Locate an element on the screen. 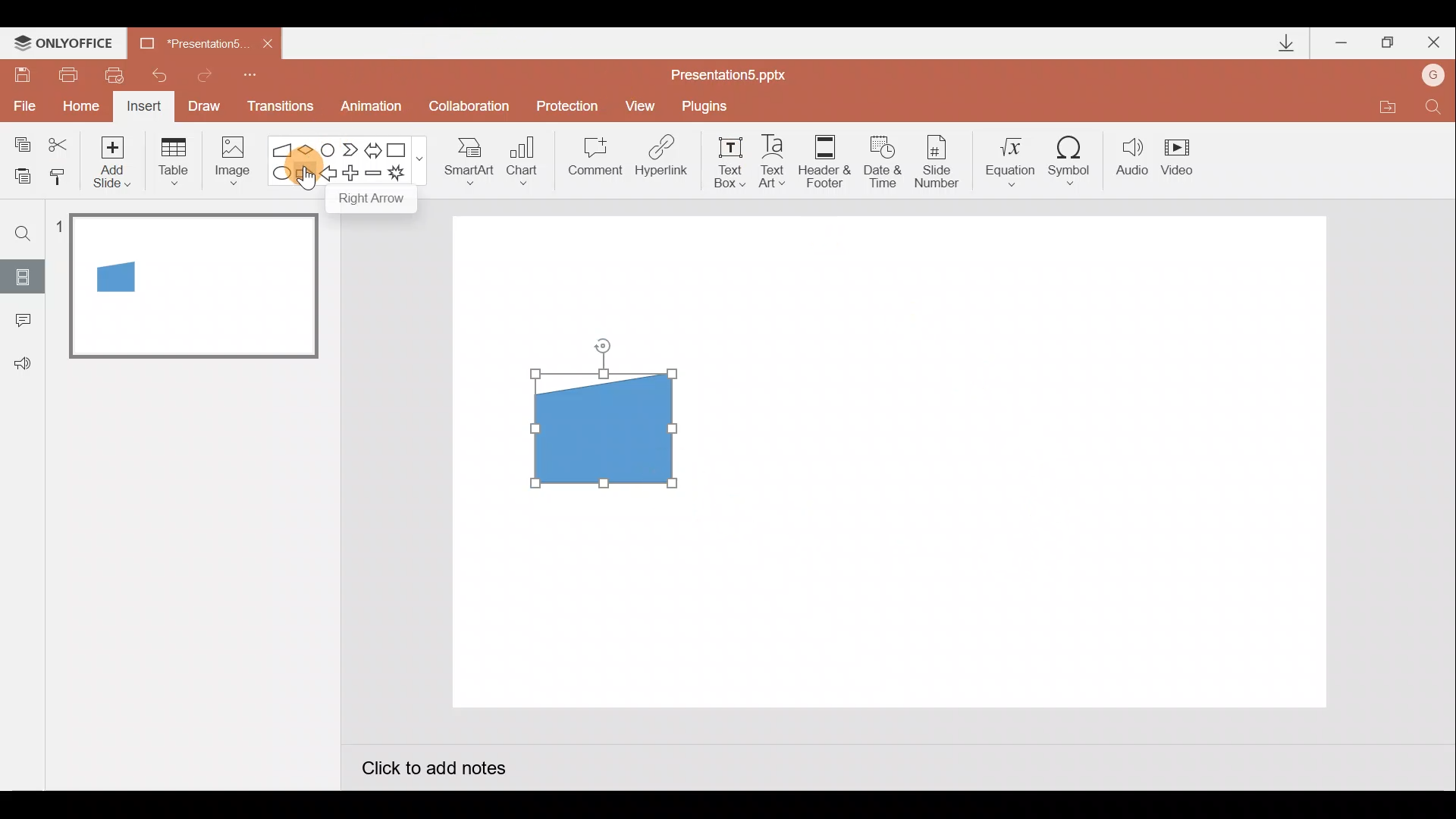 The height and width of the screenshot is (819, 1456). Left right arrow is located at coordinates (375, 147).